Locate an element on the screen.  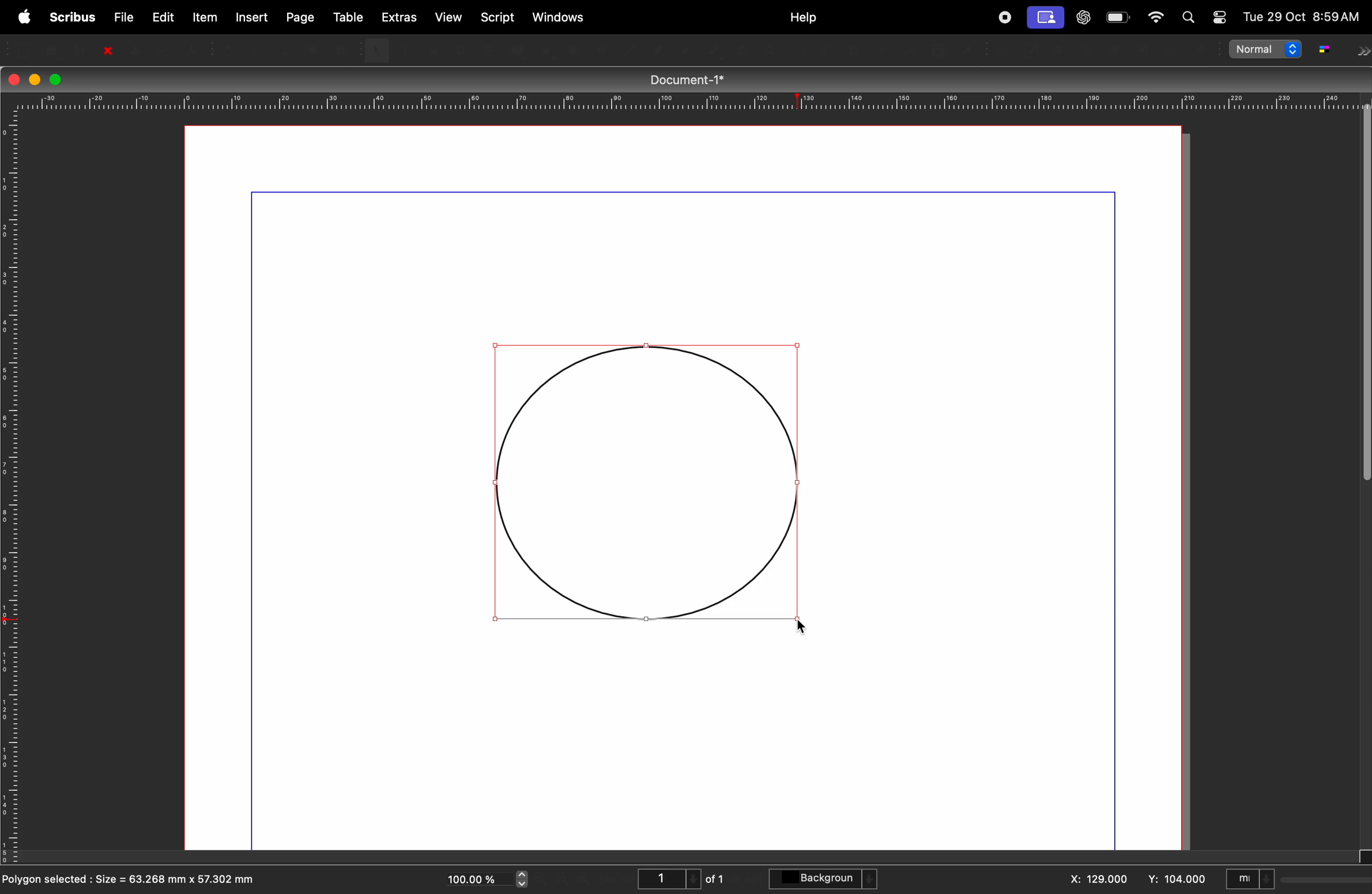
battery is located at coordinates (1118, 18).